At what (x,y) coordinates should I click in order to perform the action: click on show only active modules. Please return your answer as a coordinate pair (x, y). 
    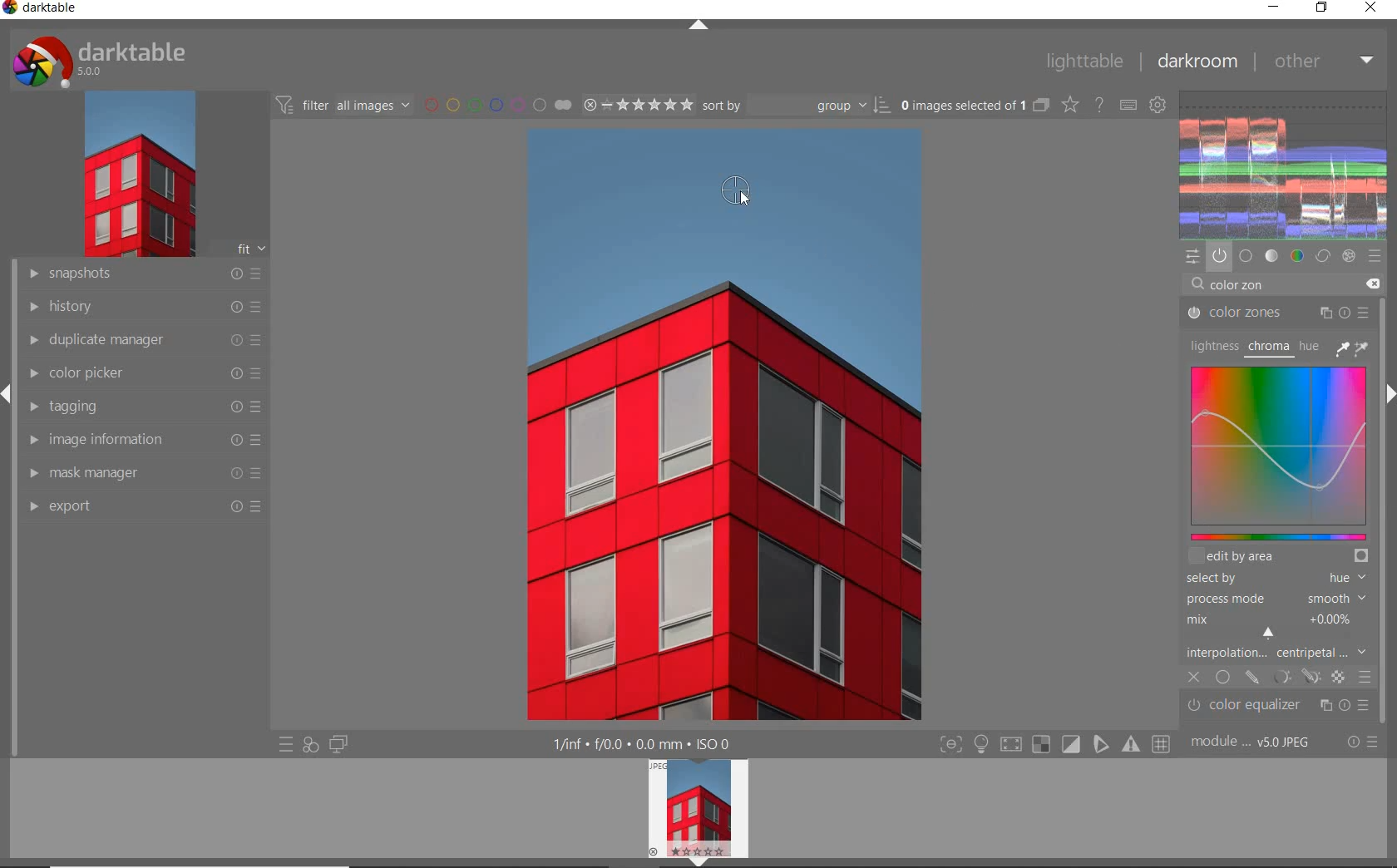
    Looking at the image, I should click on (1219, 255).